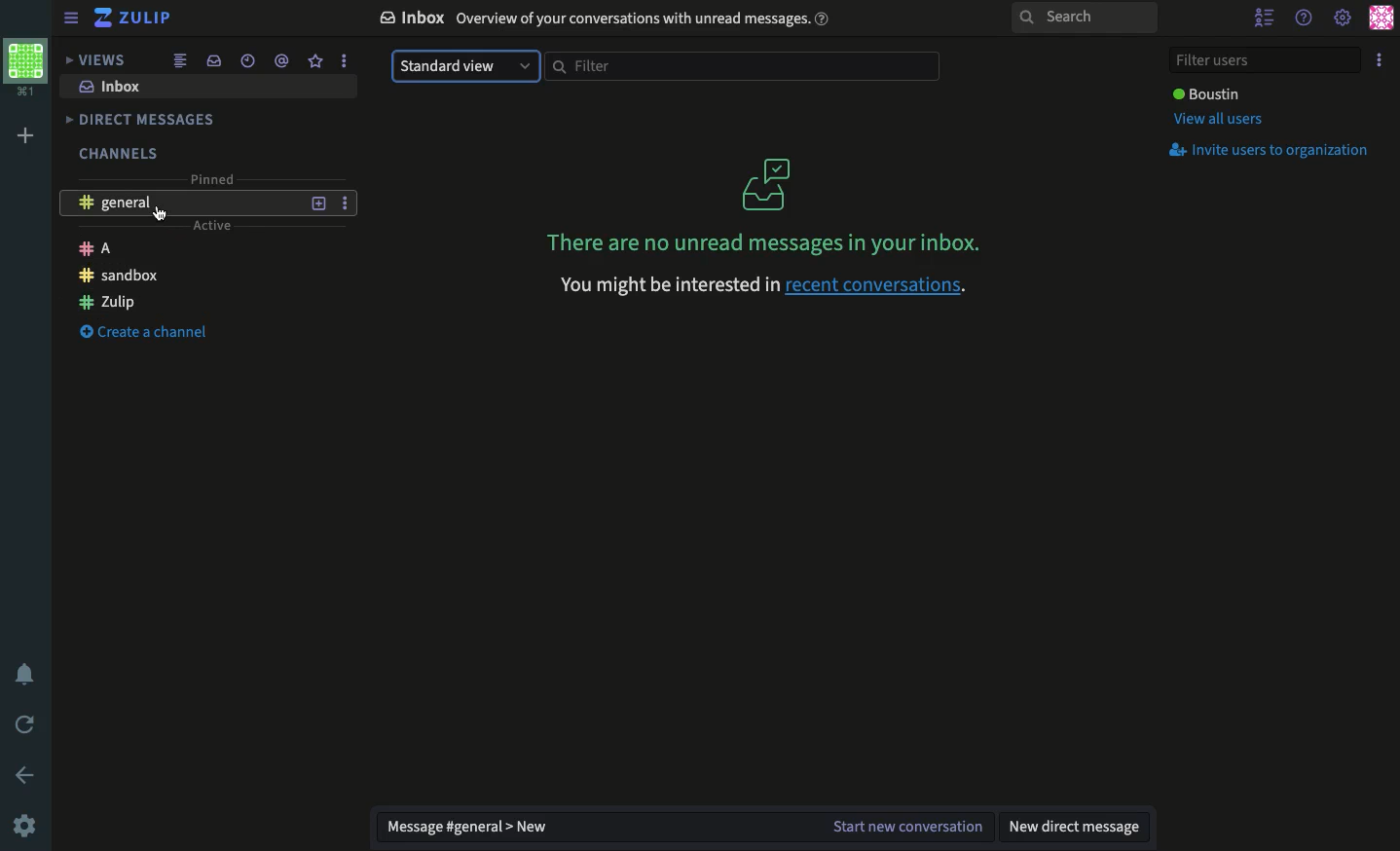 This screenshot has width=1400, height=851. Describe the element at coordinates (24, 773) in the screenshot. I see `Back` at that location.